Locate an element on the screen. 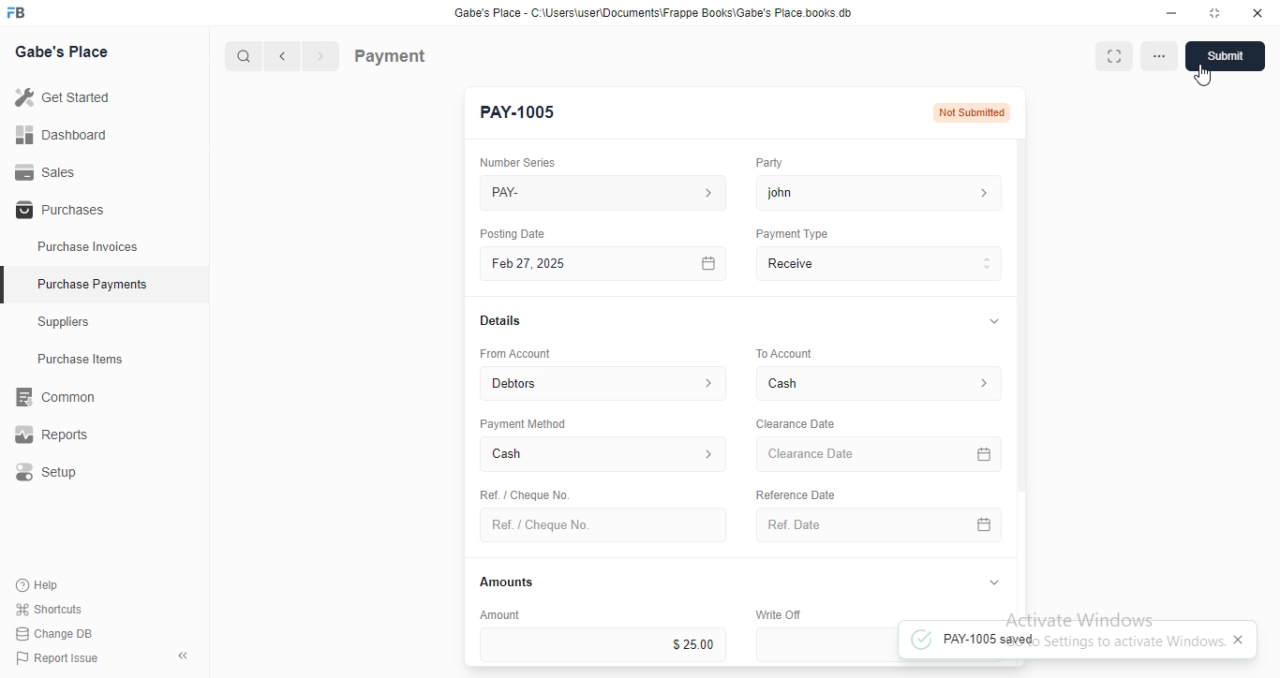 This screenshot has height=678, width=1280. Clearance Date is located at coordinates (794, 424).